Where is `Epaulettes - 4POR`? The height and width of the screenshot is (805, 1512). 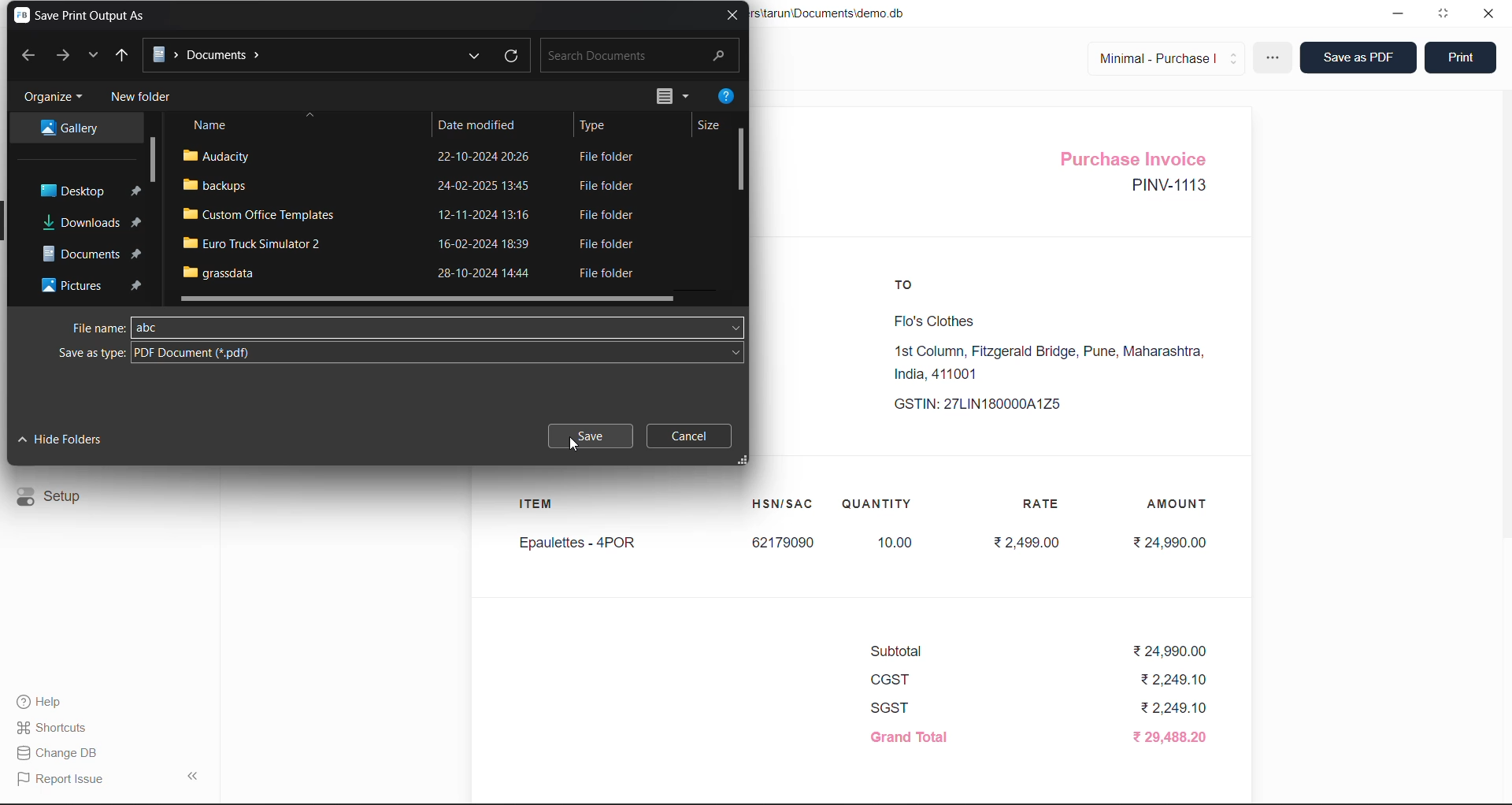
Epaulettes - 4POR is located at coordinates (577, 543).